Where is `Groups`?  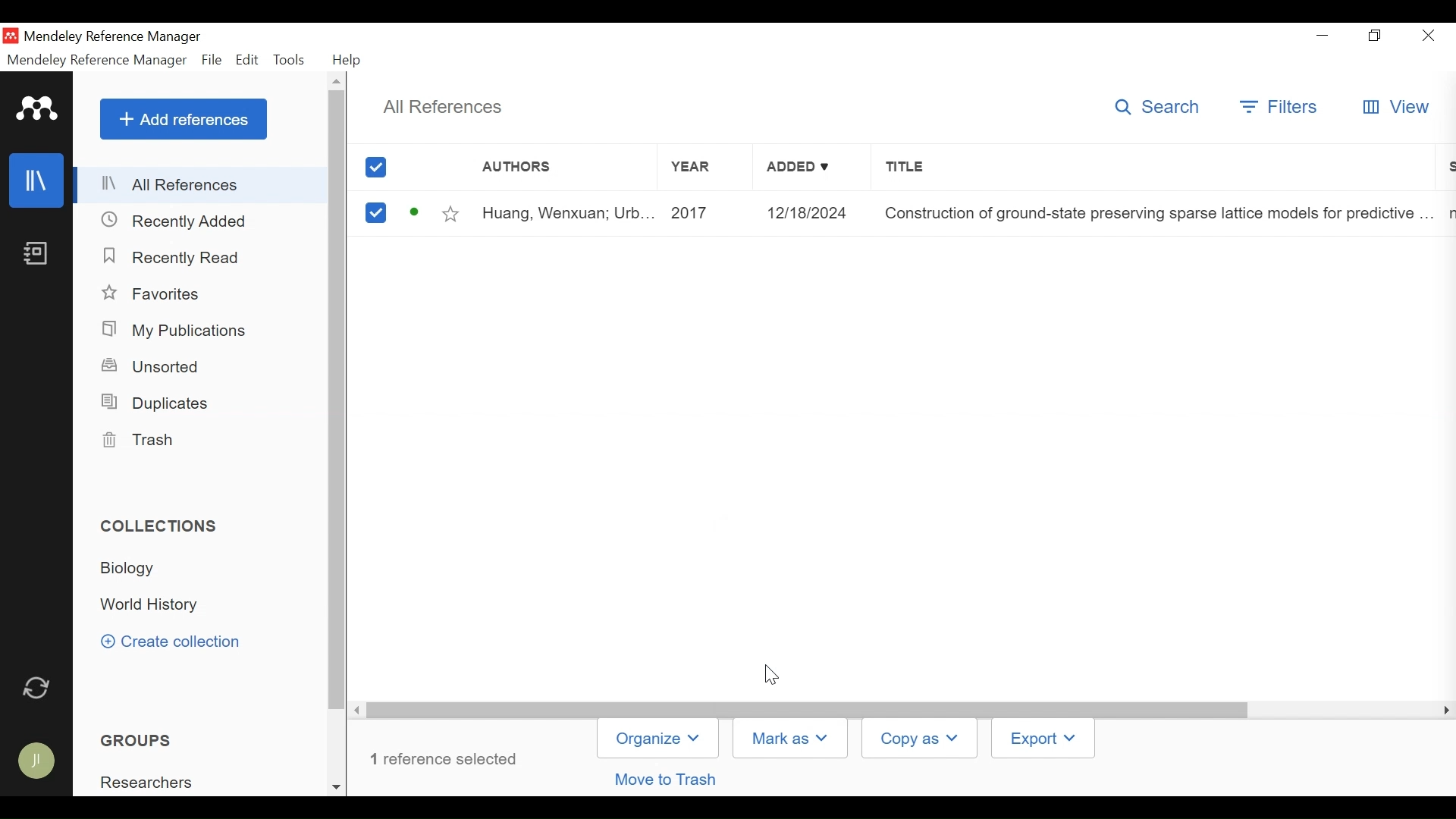
Groups is located at coordinates (138, 739).